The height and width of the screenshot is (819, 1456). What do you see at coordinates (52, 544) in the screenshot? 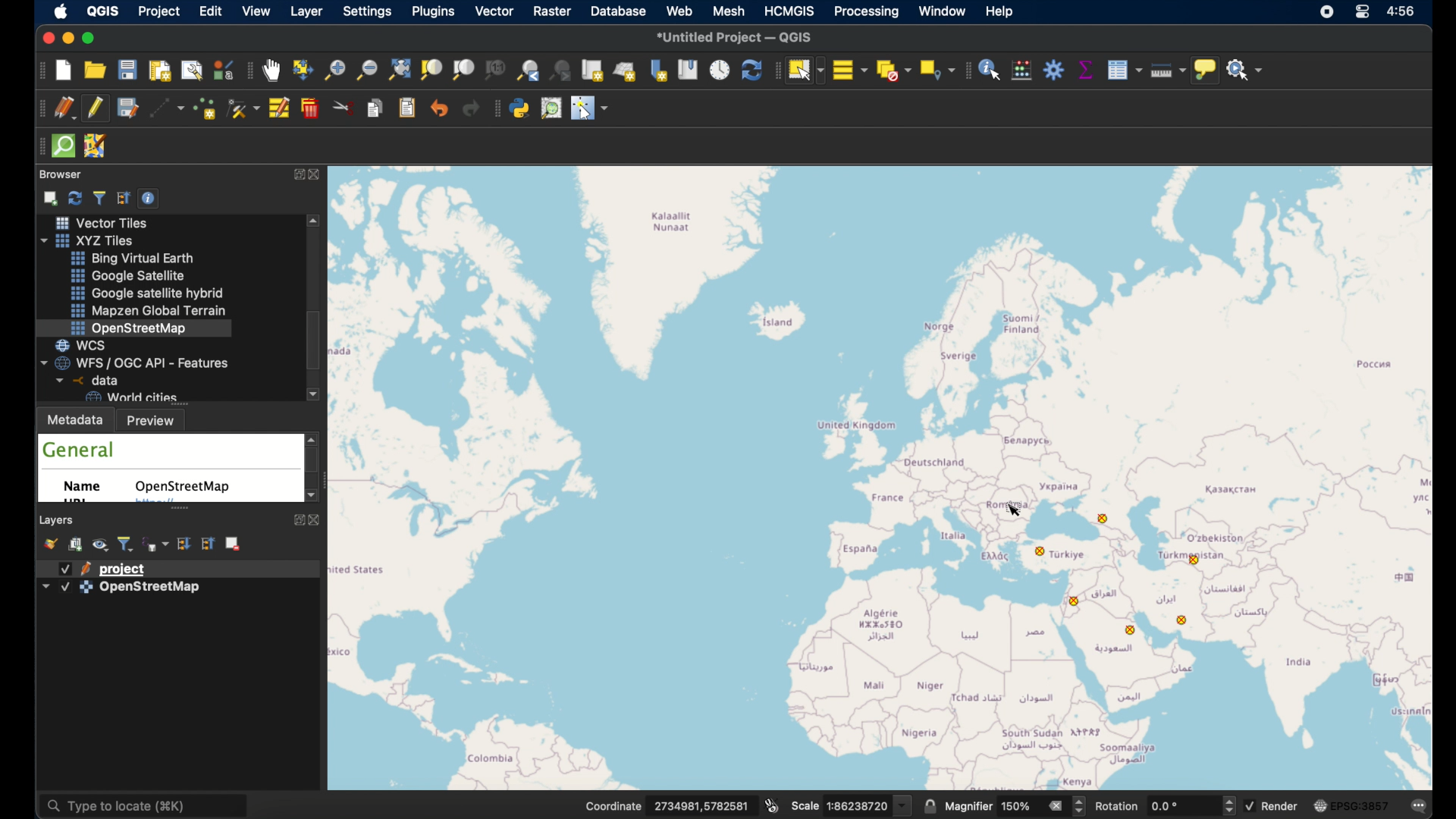
I see `open layer styling panel` at bounding box center [52, 544].